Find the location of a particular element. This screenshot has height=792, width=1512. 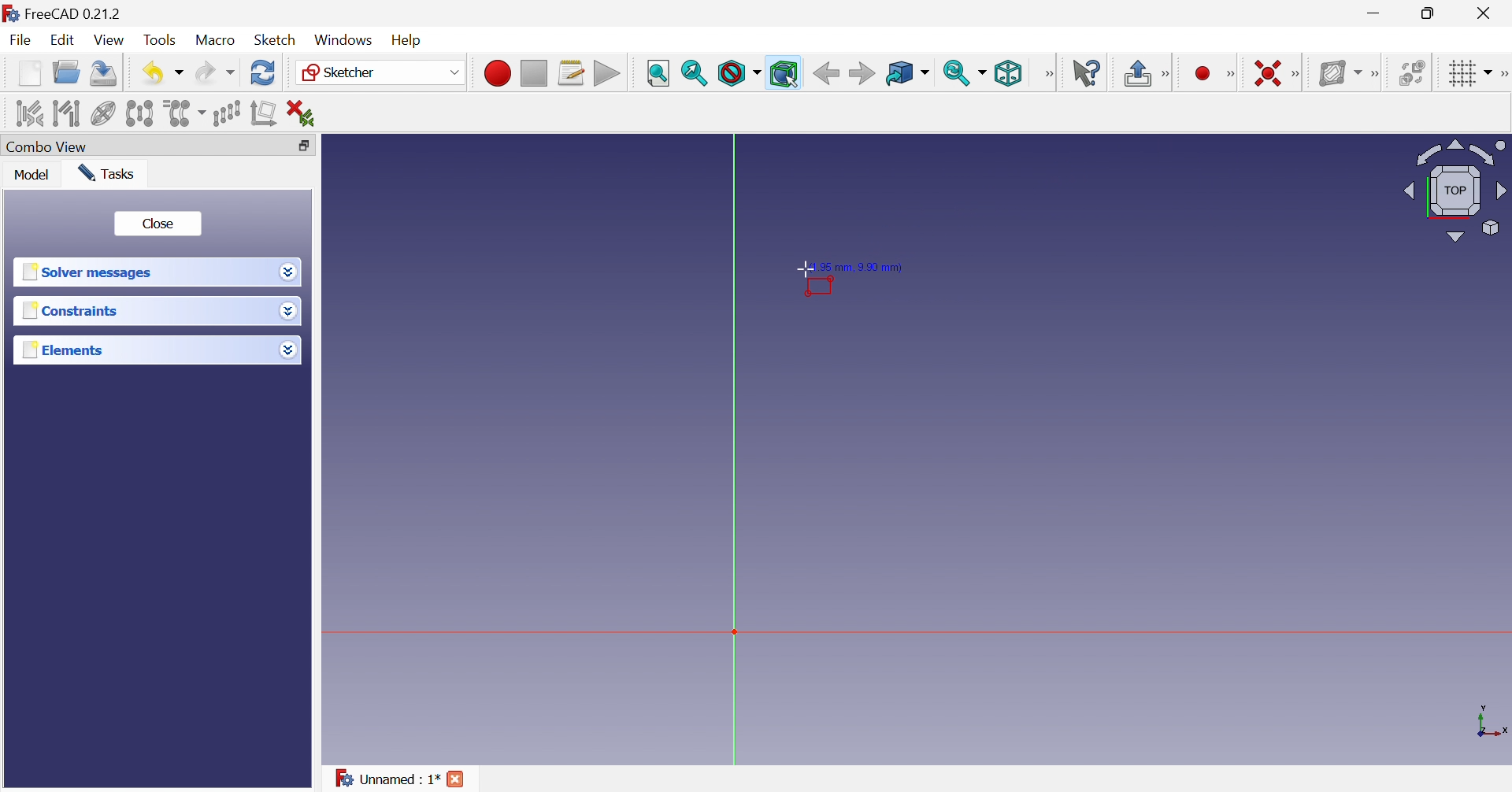

Drop down is located at coordinates (288, 311).